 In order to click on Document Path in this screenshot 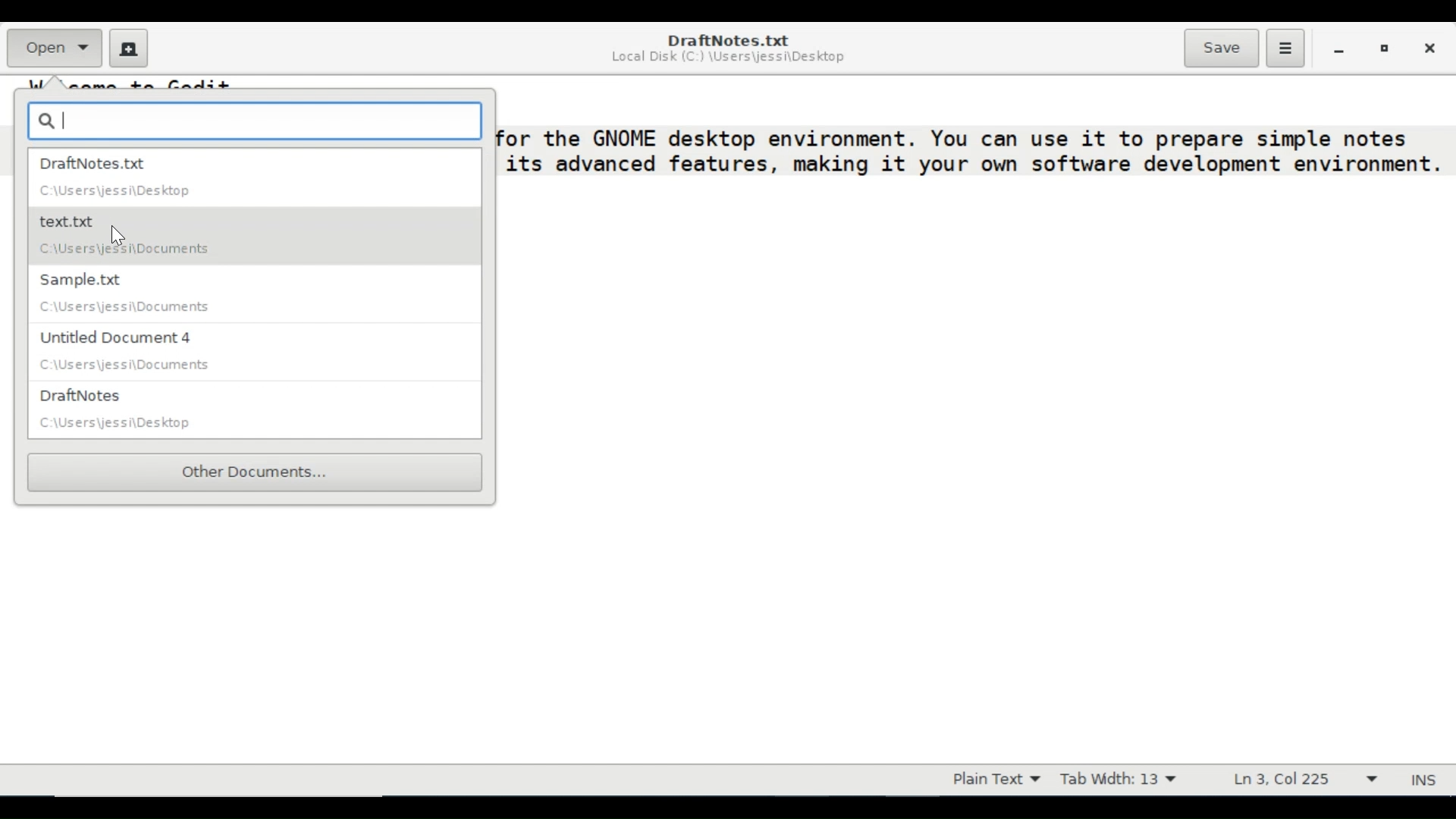, I will do `click(730, 60)`.